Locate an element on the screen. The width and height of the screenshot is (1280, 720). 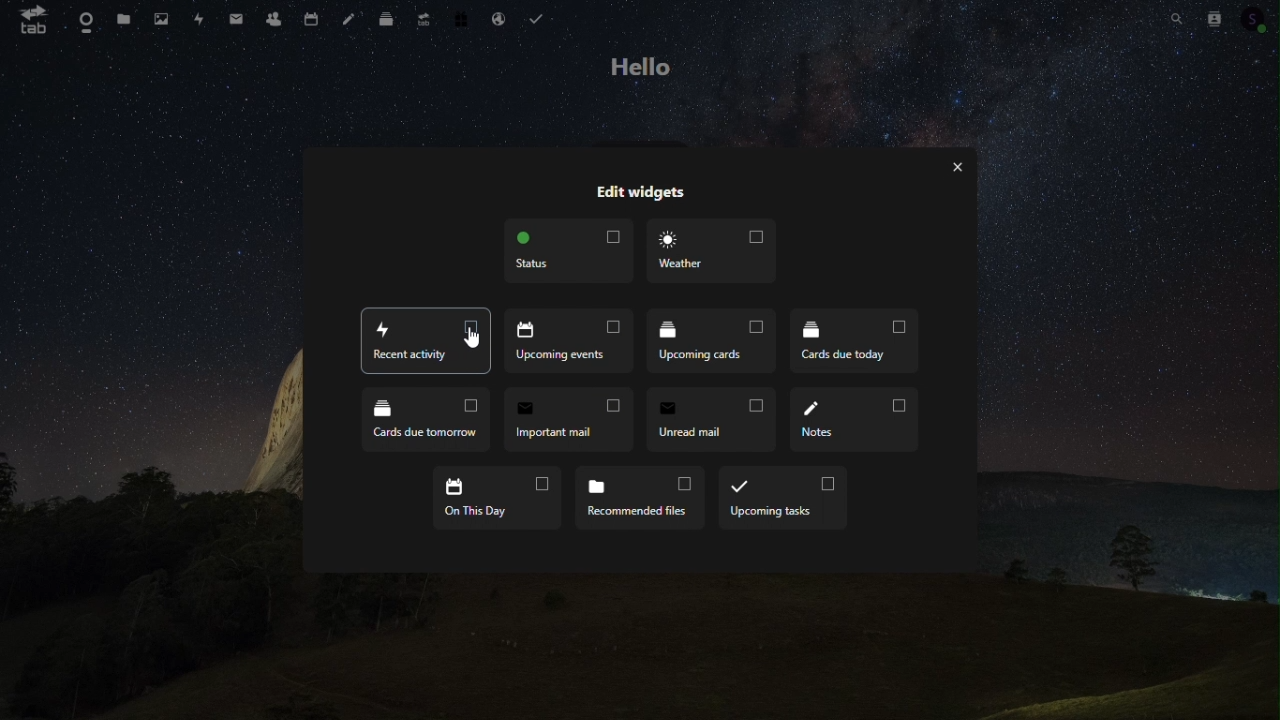
Notes is located at coordinates (345, 21).